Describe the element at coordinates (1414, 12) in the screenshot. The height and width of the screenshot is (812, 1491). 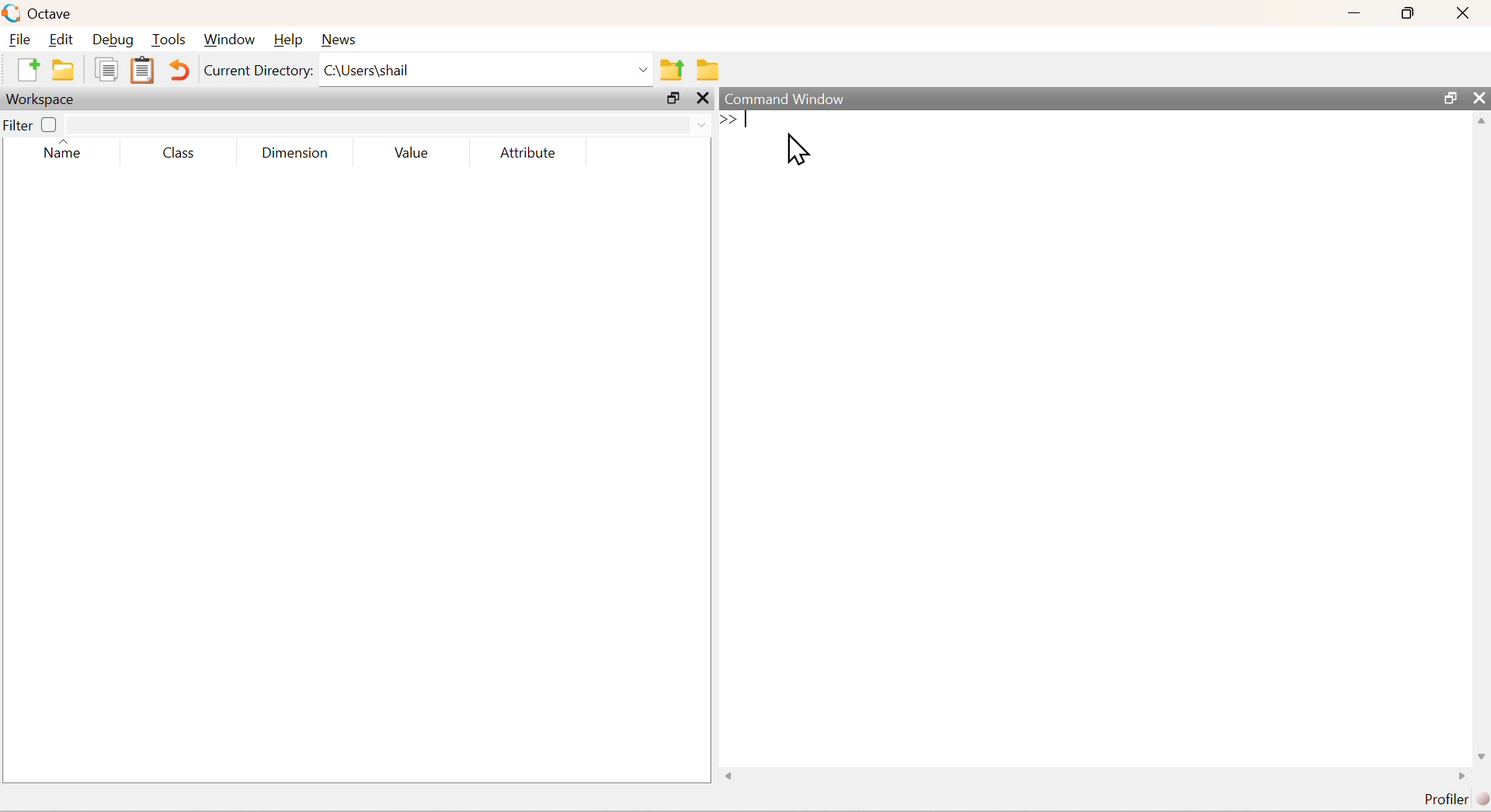
I see `Maximize` at that location.